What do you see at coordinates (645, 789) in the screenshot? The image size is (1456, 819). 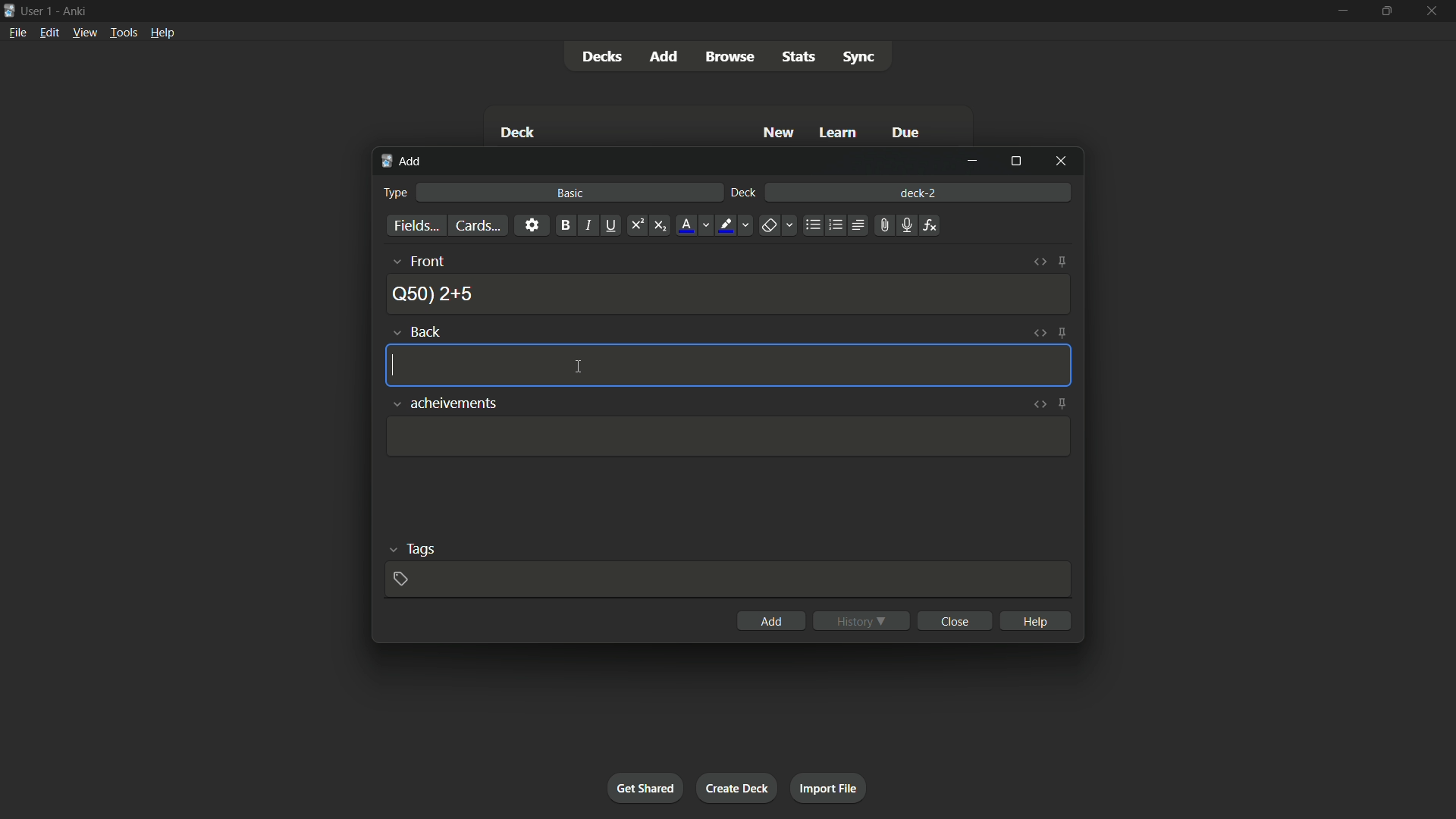 I see `get shared` at bounding box center [645, 789].